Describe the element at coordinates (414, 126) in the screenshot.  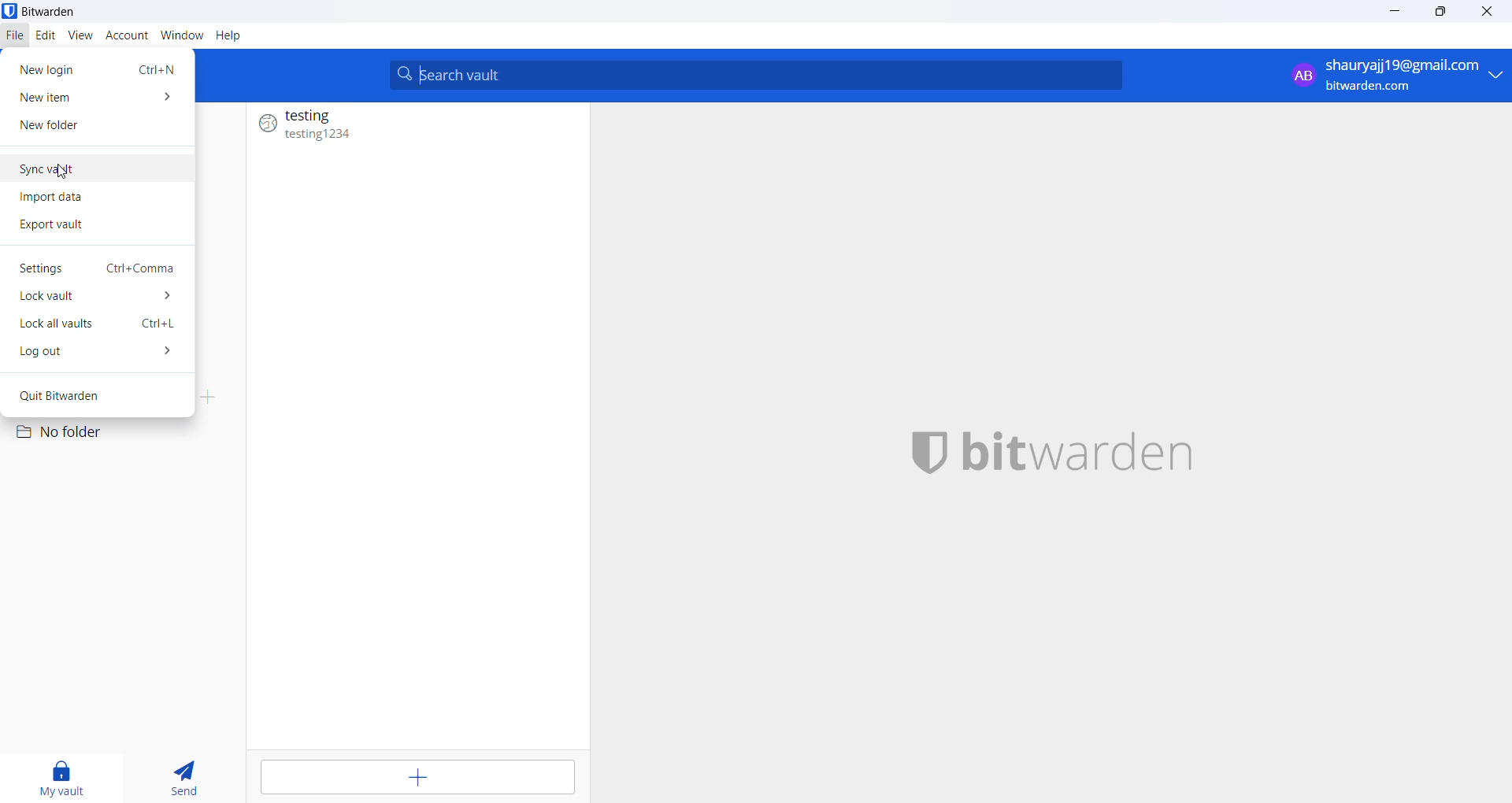
I see `testing (entry )` at that location.